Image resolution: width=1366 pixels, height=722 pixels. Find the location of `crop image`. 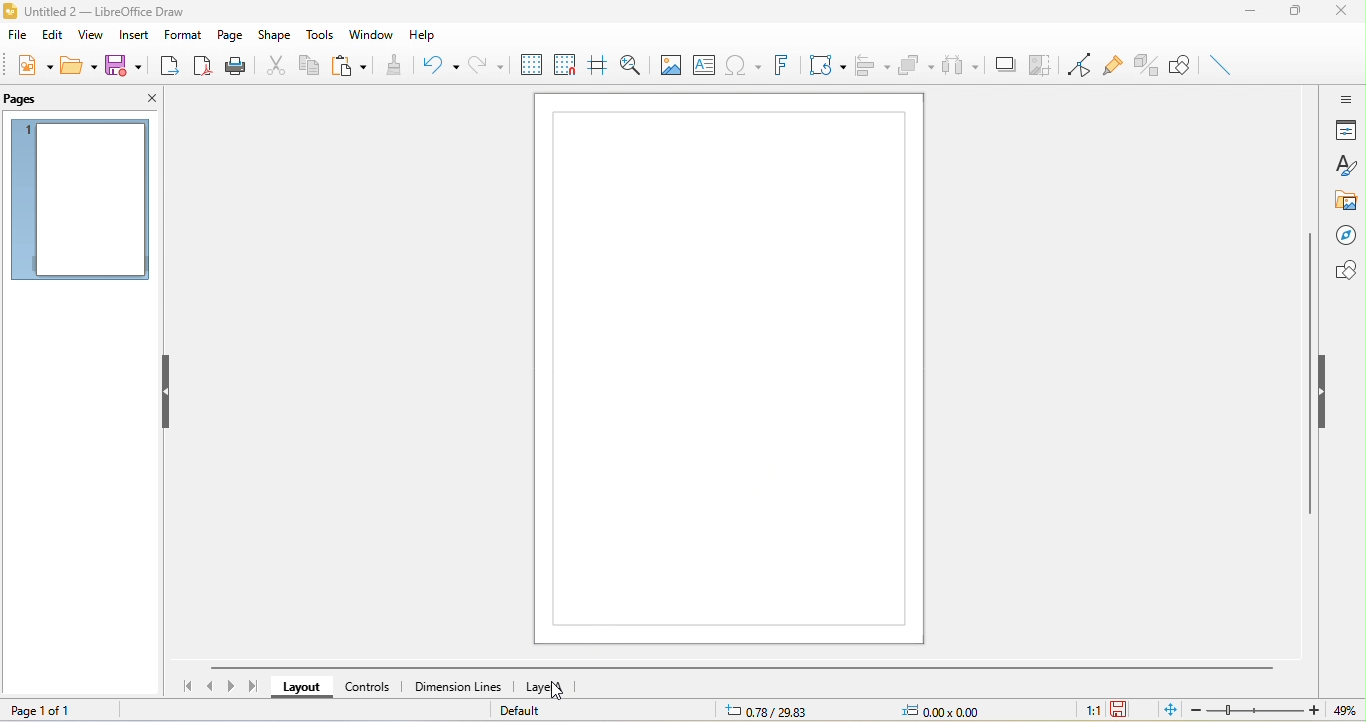

crop image is located at coordinates (1042, 63).